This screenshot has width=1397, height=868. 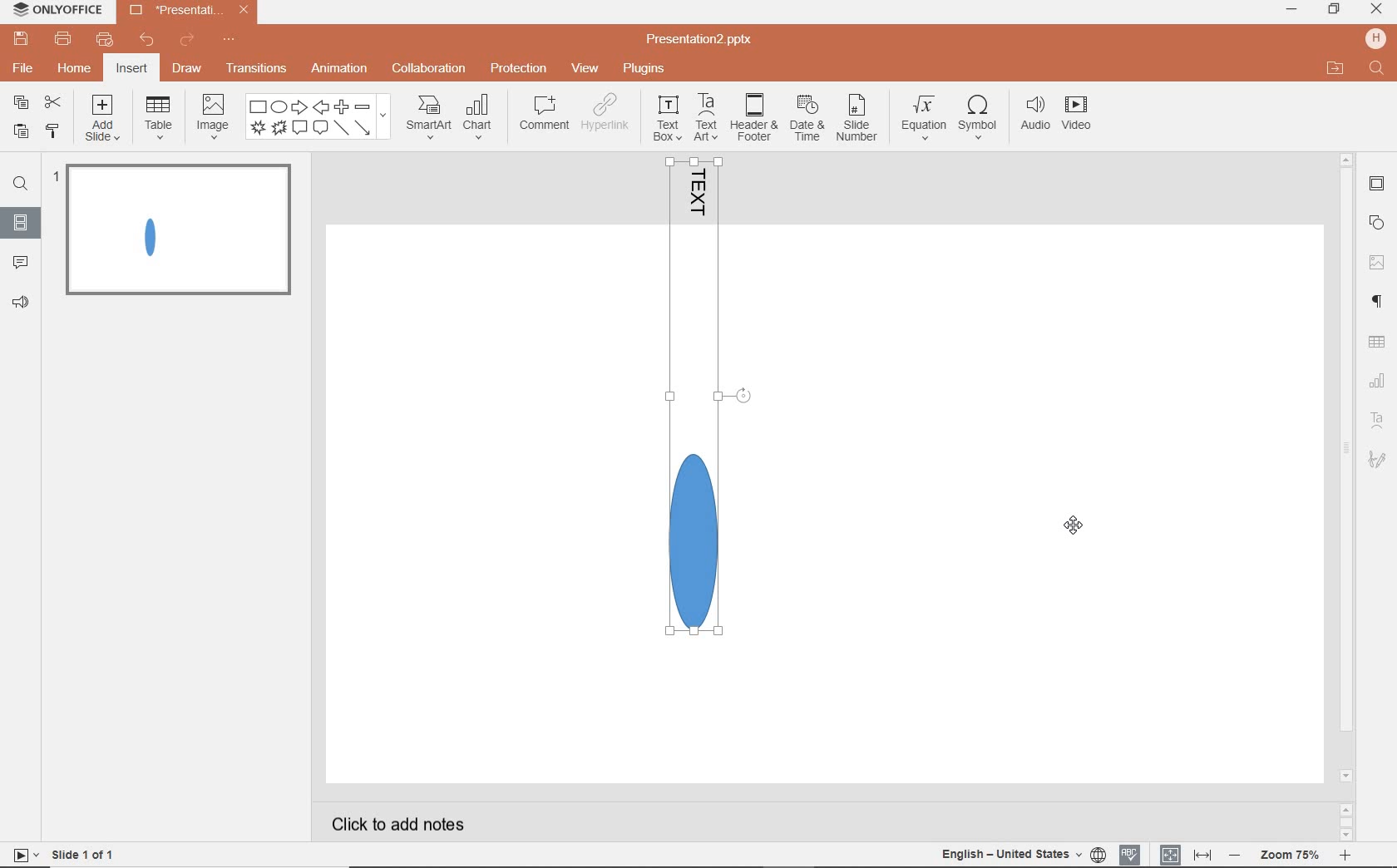 What do you see at coordinates (1377, 185) in the screenshot?
I see `SLIDE SETTINGS` at bounding box center [1377, 185].